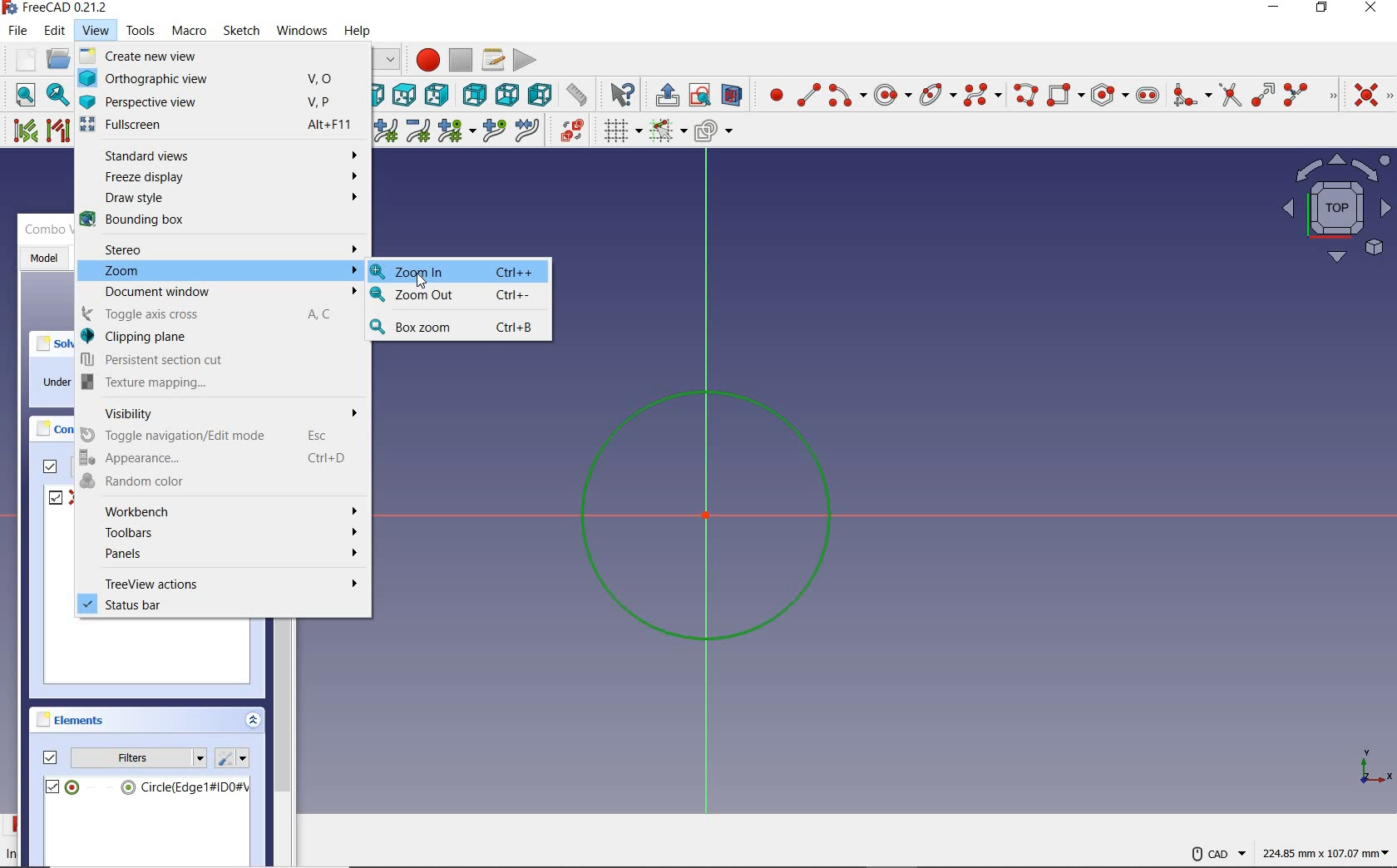 Image resolution: width=1397 pixels, height=868 pixels. What do you see at coordinates (232, 177) in the screenshot?
I see `Freeze display` at bounding box center [232, 177].